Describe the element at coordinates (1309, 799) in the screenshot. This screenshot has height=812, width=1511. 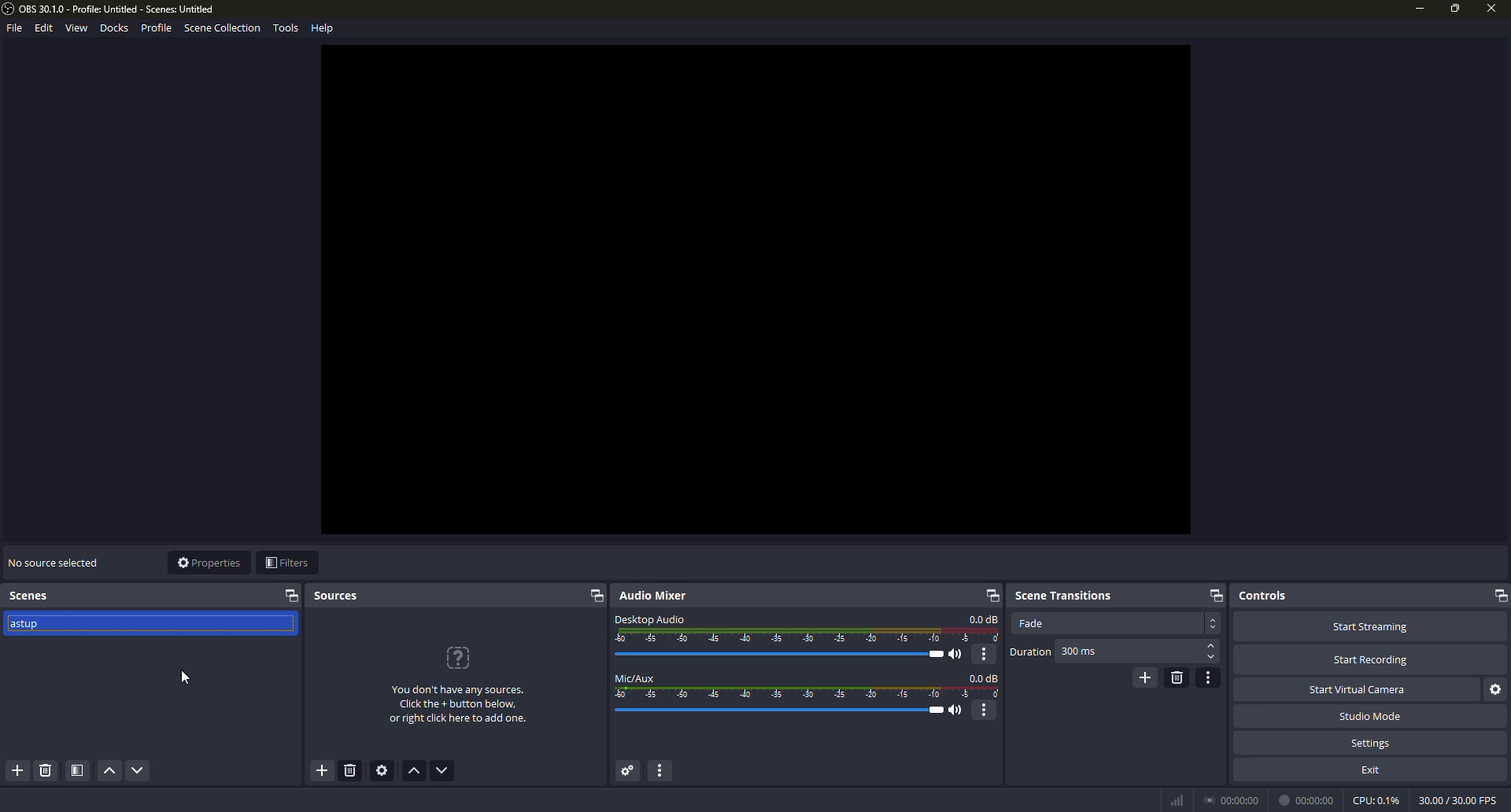
I see `time` at that location.